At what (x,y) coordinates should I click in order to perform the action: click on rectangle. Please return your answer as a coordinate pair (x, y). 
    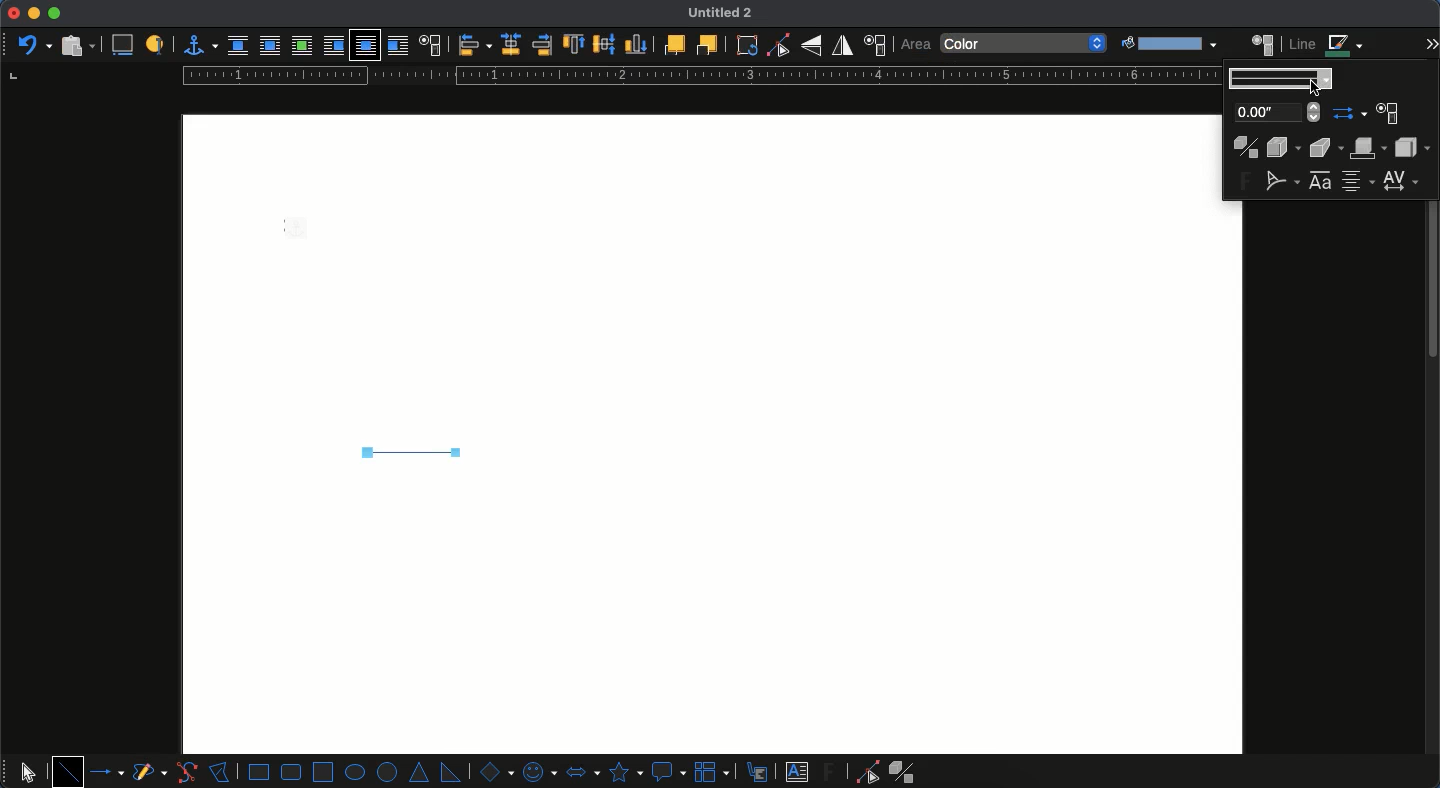
    Looking at the image, I should click on (259, 772).